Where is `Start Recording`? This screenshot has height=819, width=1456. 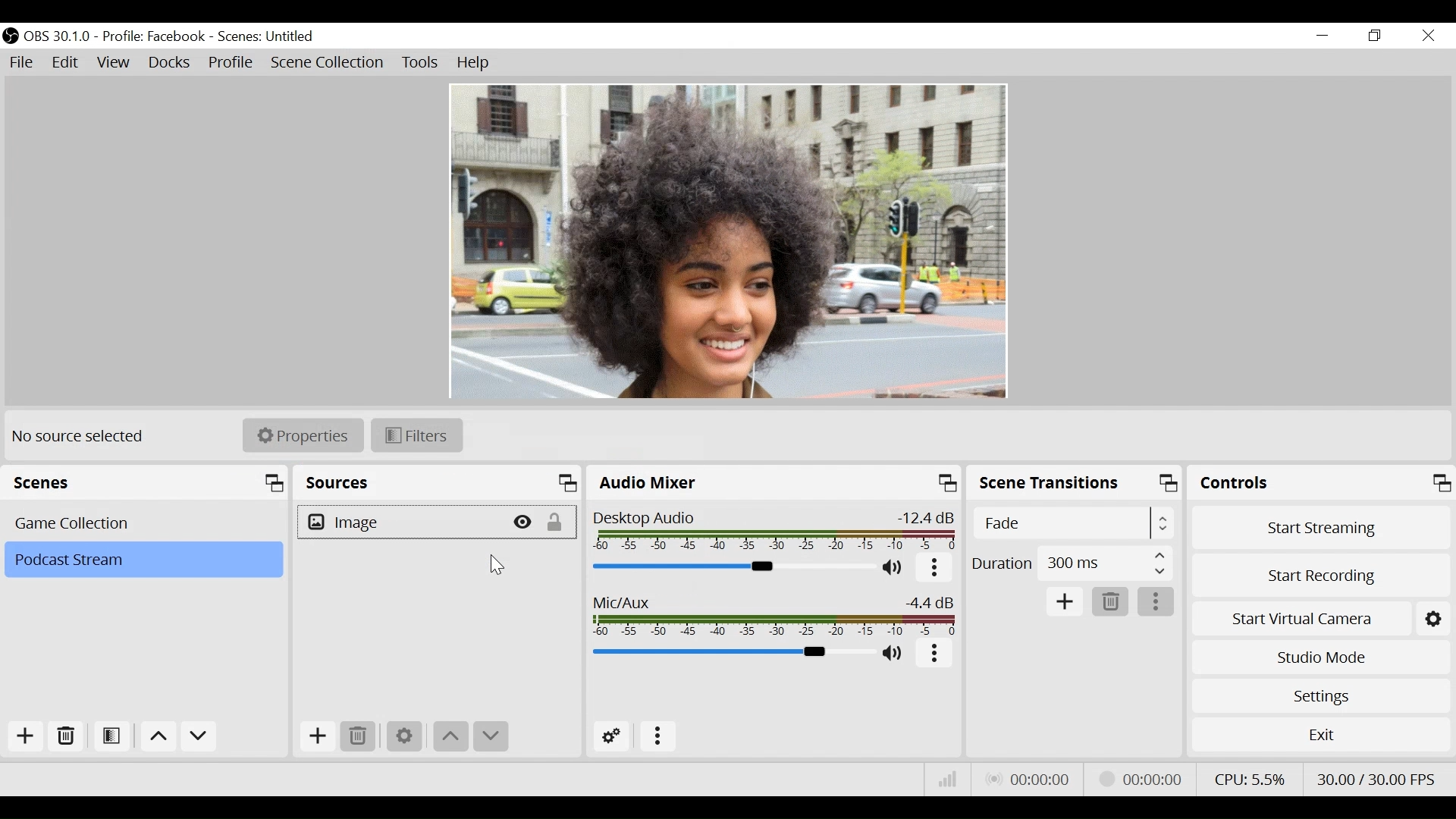
Start Recording is located at coordinates (1322, 574).